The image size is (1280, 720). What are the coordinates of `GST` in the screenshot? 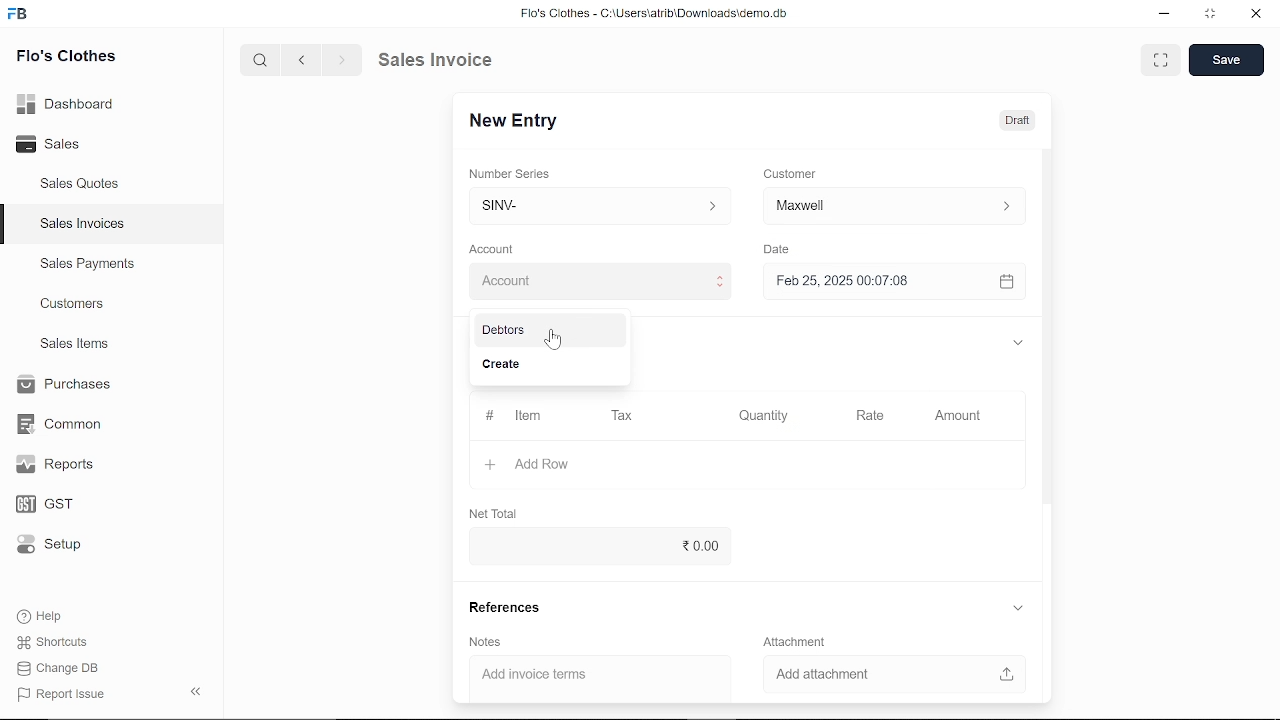 It's located at (55, 501).